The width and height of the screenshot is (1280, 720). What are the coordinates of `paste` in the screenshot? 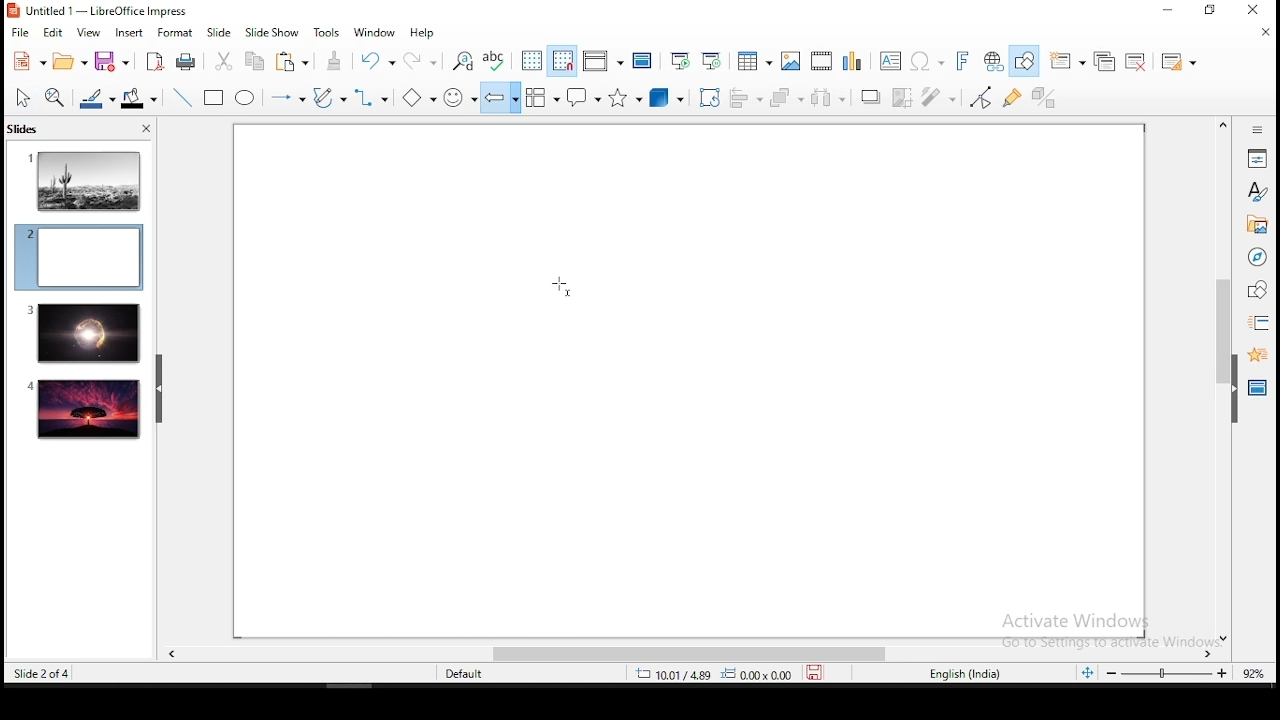 It's located at (295, 61).